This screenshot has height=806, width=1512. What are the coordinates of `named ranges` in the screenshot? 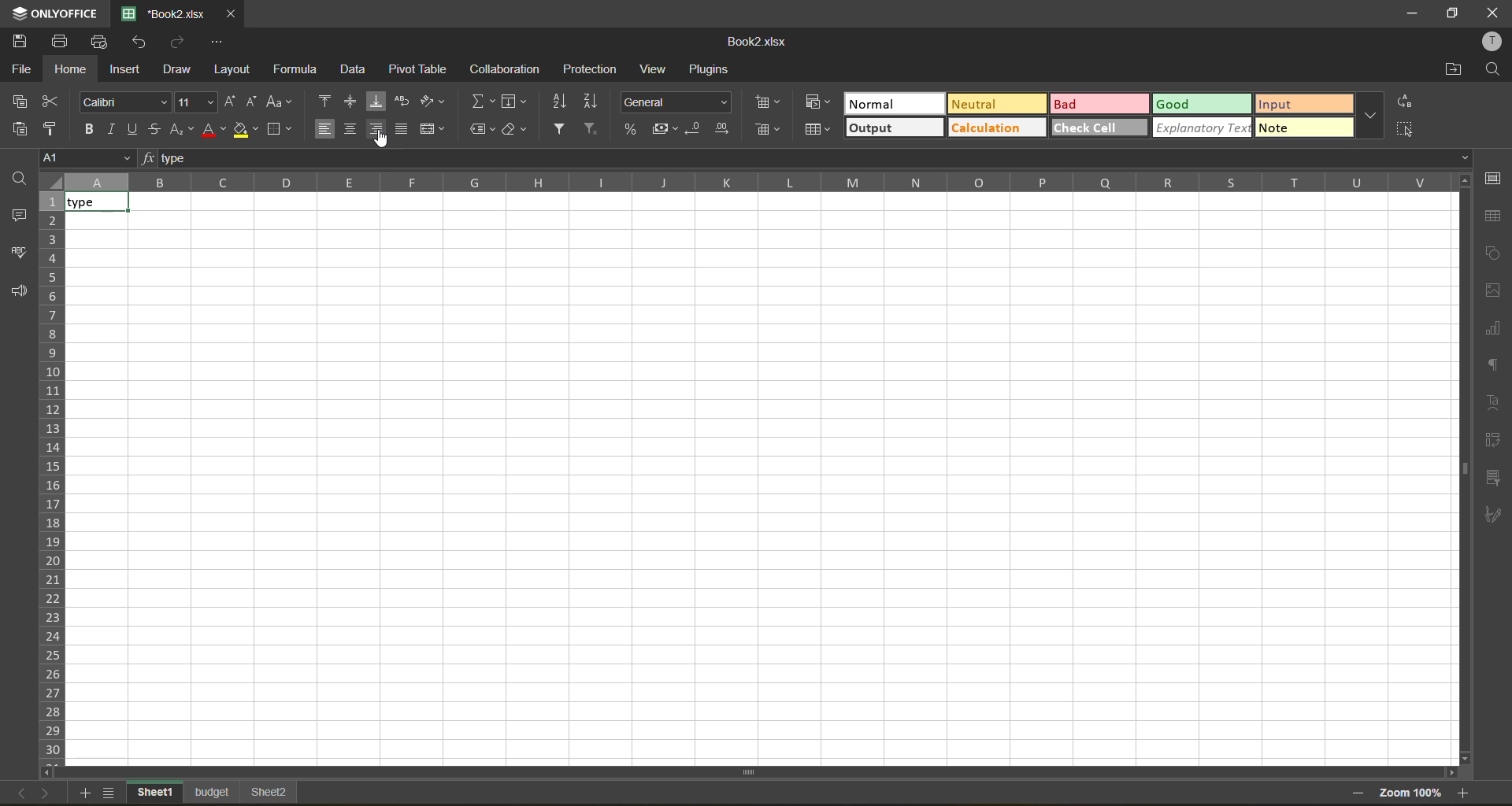 It's located at (481, 131).